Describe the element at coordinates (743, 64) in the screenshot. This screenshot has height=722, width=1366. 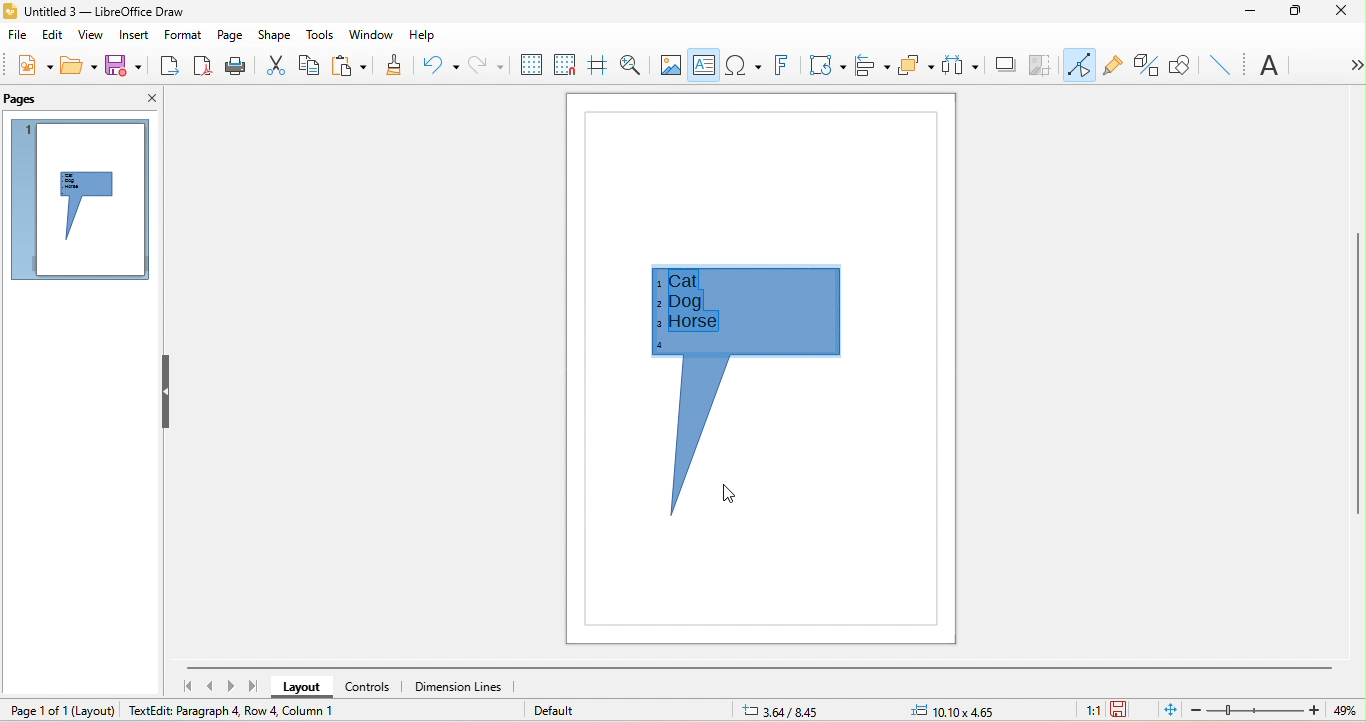
I see `special character` at that location.